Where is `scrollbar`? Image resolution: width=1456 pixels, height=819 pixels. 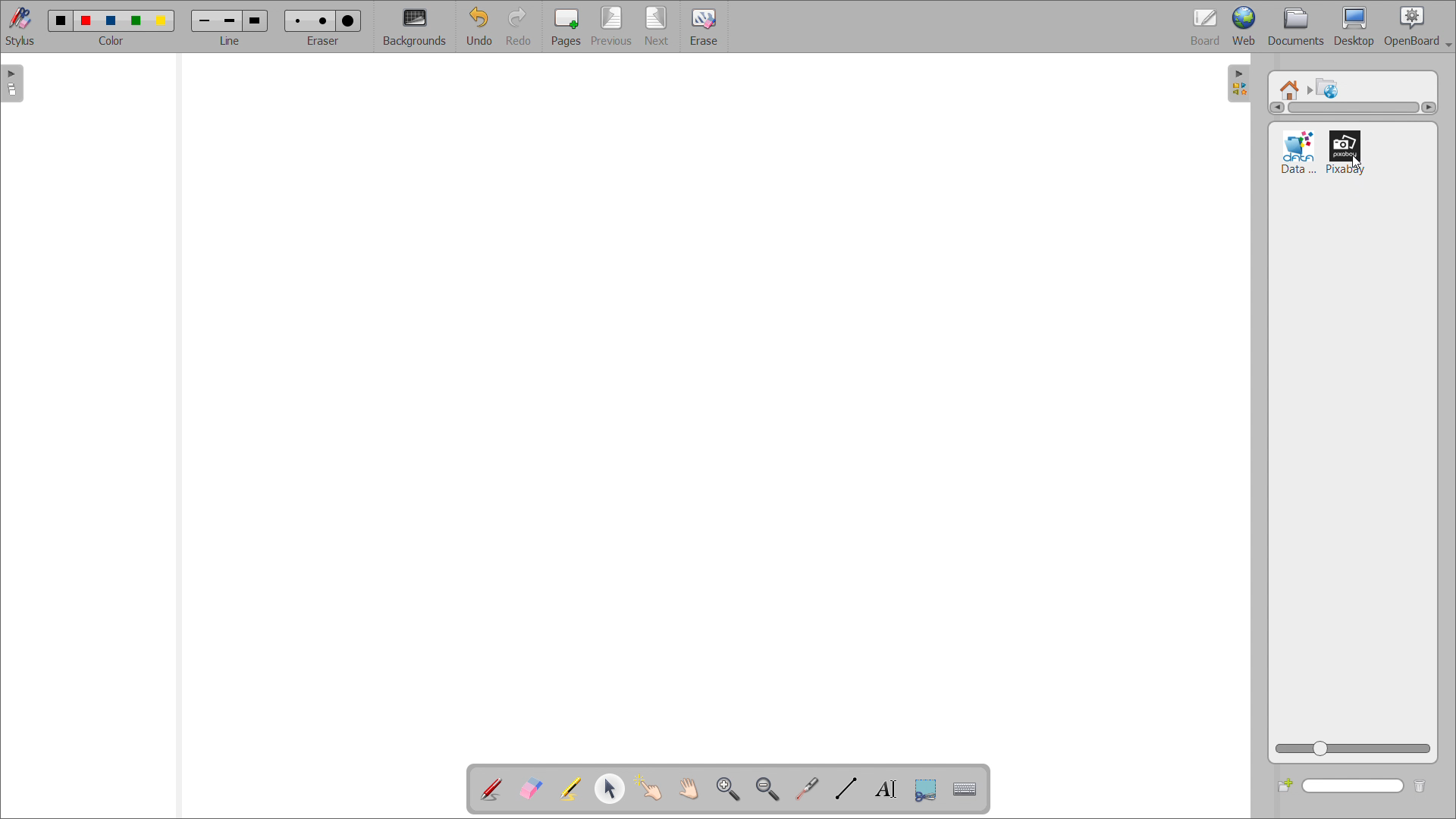
scrollbar is located at coordinates (1354, 108).